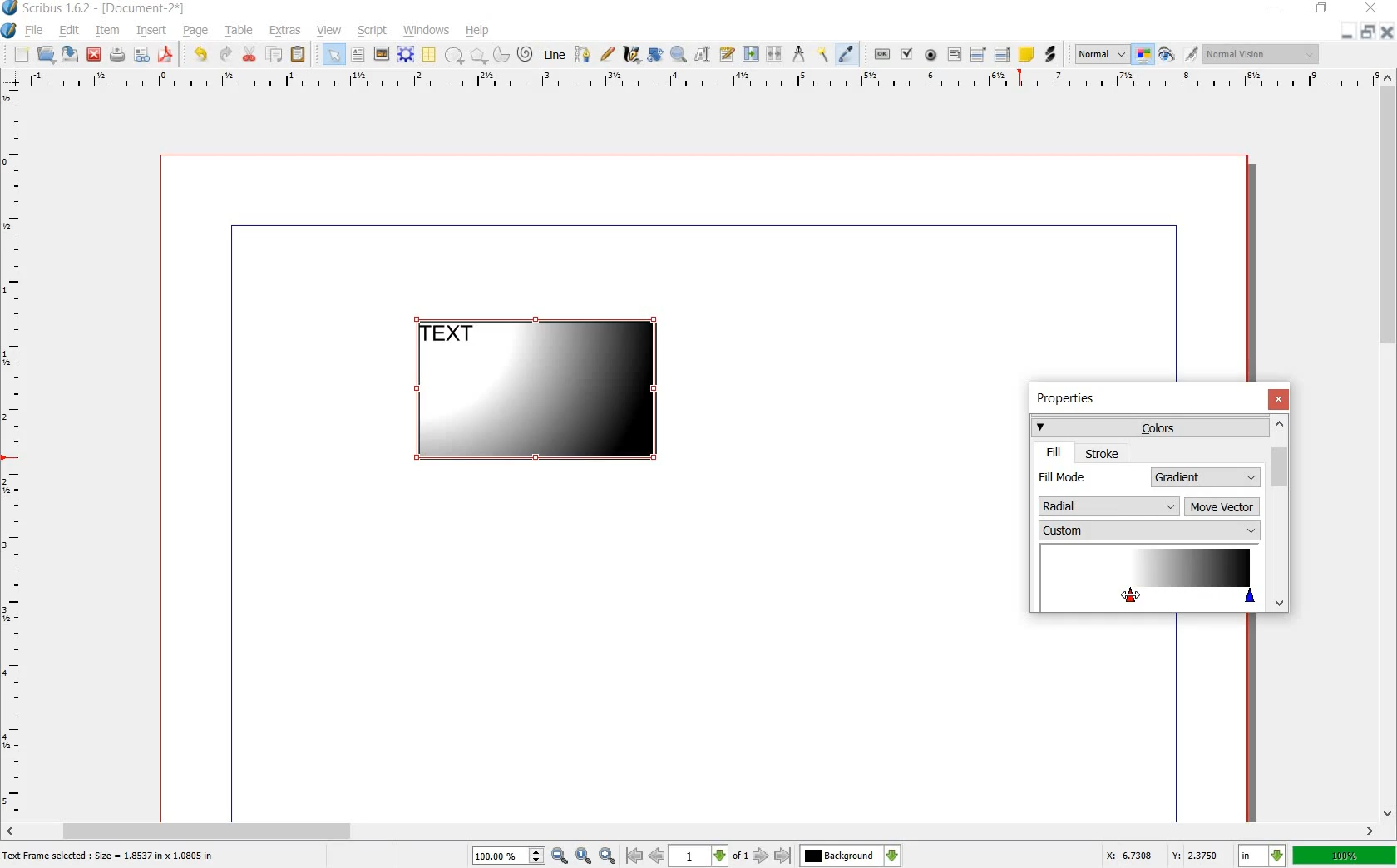  I want to click on pdf combo box, so click(979, 53).